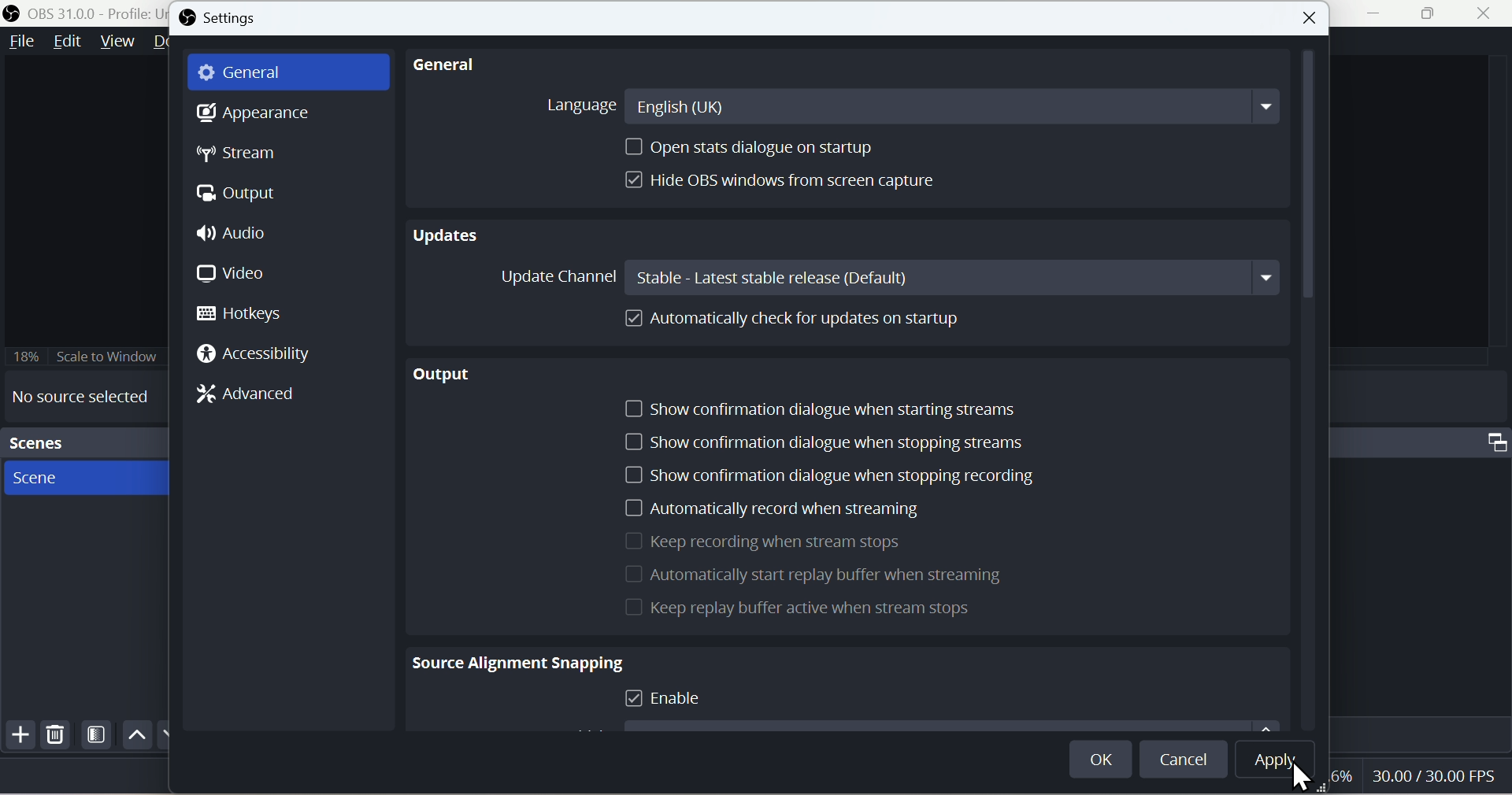 This screenshot has width=1512, height=795. I want to click on Vertical Scrollbar, so click(1308, 179).